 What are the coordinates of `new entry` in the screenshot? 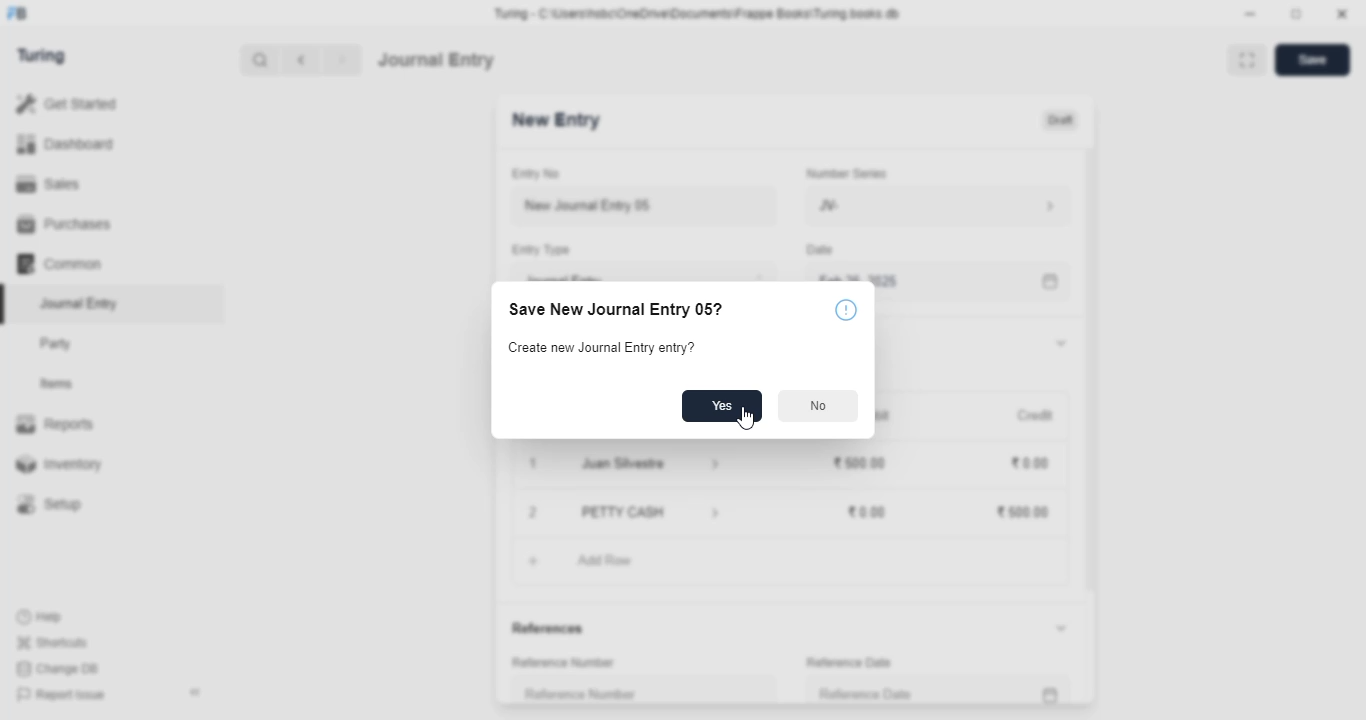 It's located at (555, 120).